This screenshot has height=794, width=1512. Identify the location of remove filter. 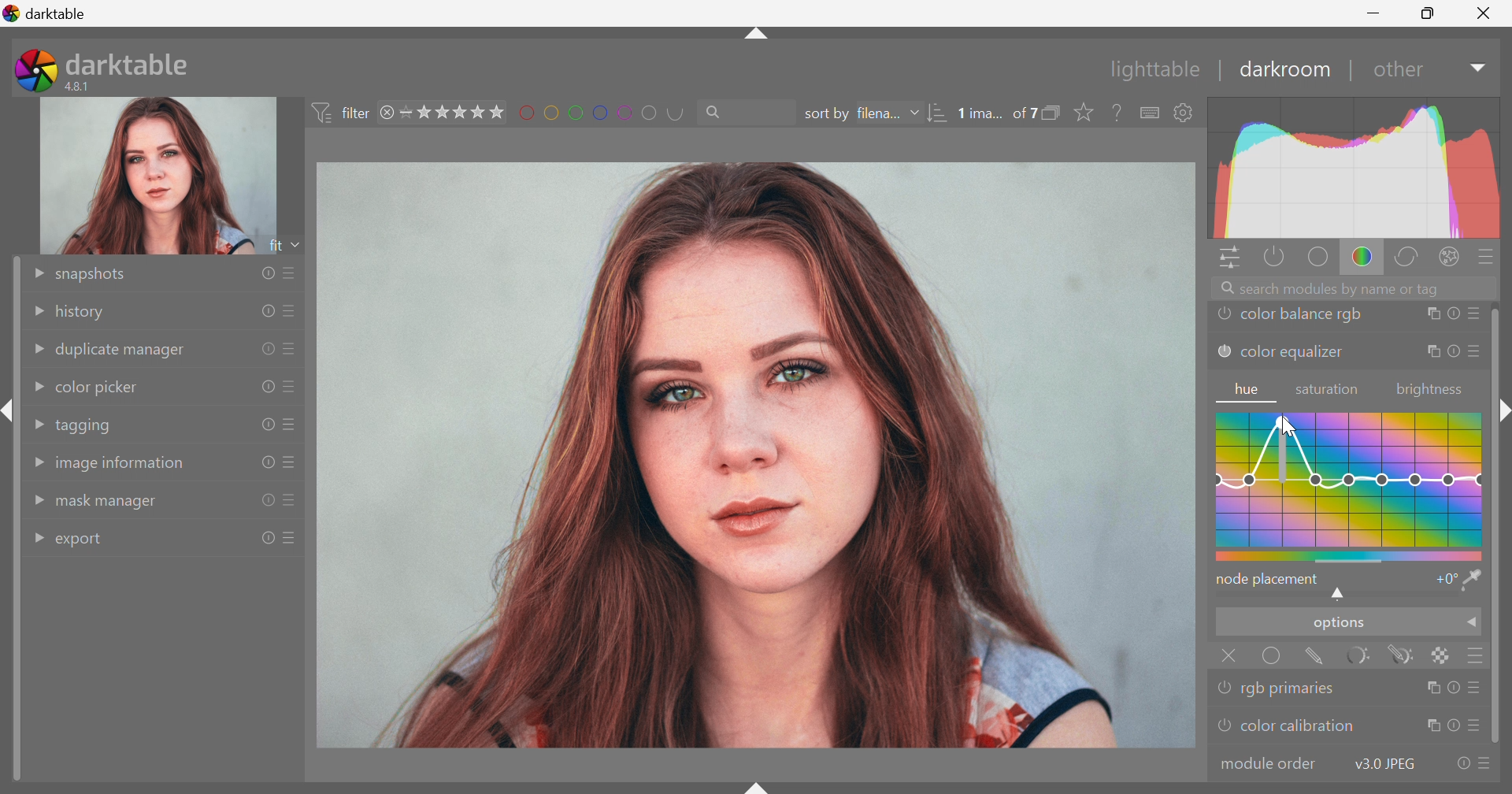
(387, 113).